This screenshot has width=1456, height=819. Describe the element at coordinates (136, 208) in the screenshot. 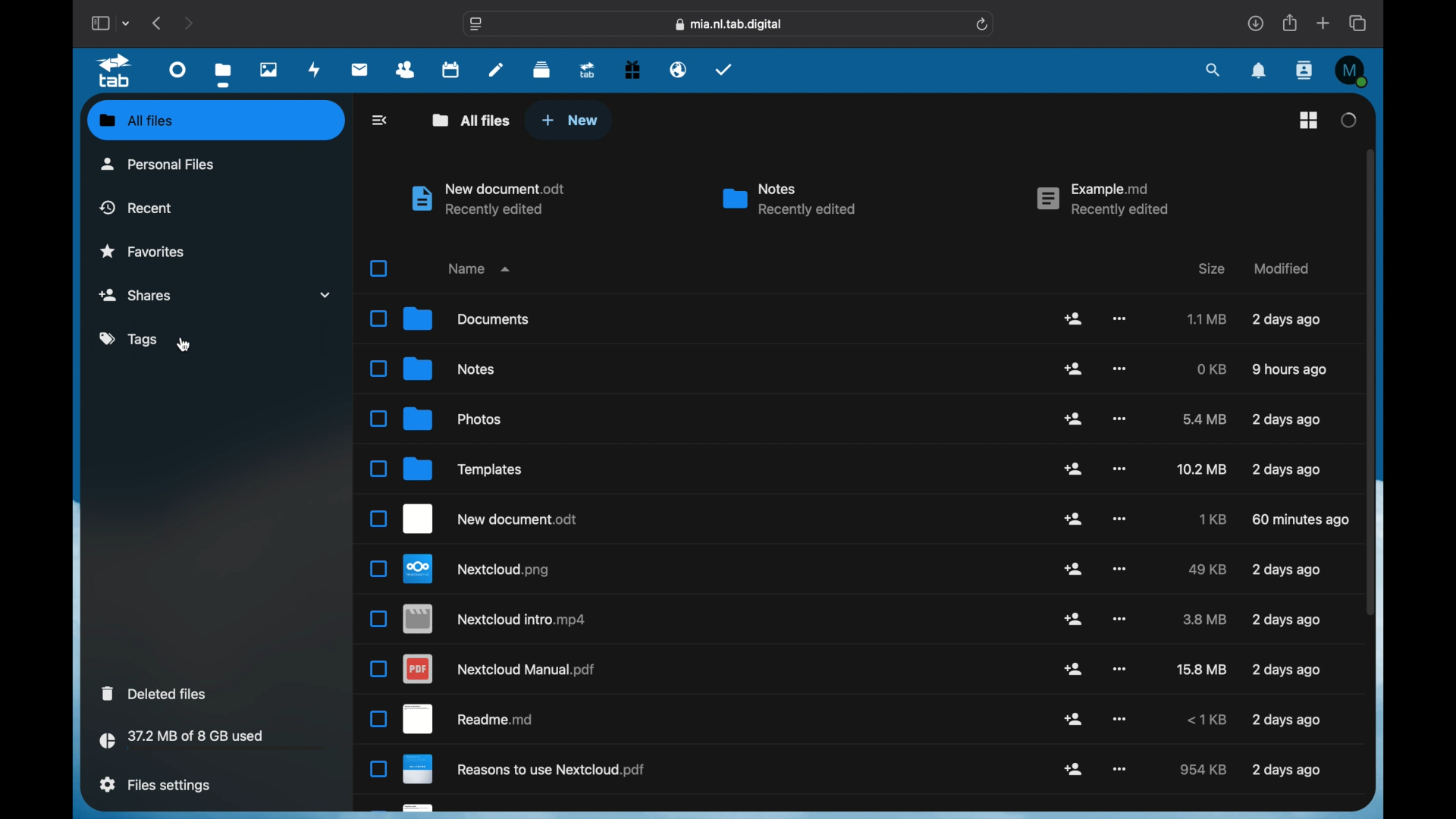

I see `recent` at that location.